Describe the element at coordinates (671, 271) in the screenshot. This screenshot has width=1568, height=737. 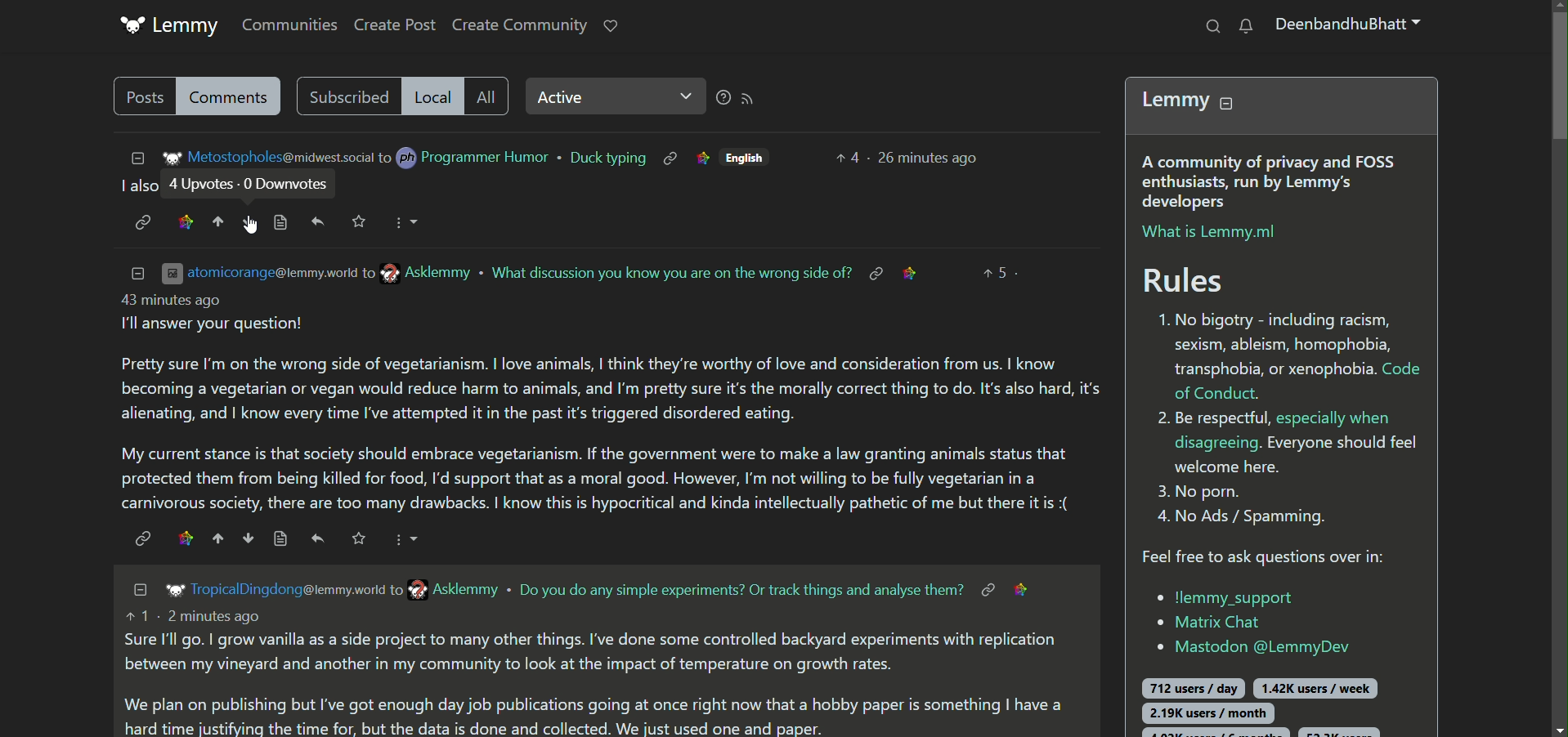
I see `text` at that location.